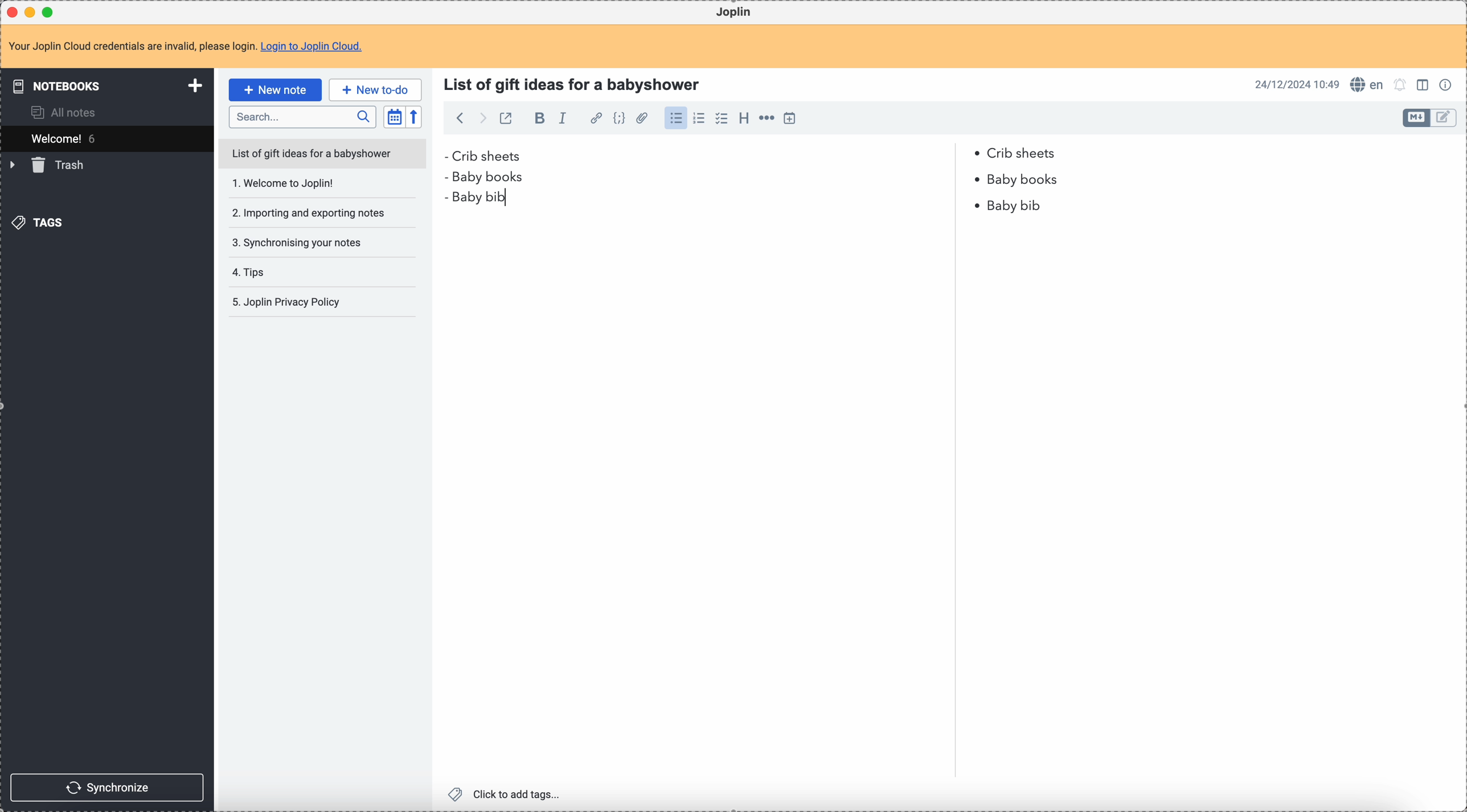 The height and width of the screenshot is (812, 1467). I want to click on Crib sheets, so click(757, 155).